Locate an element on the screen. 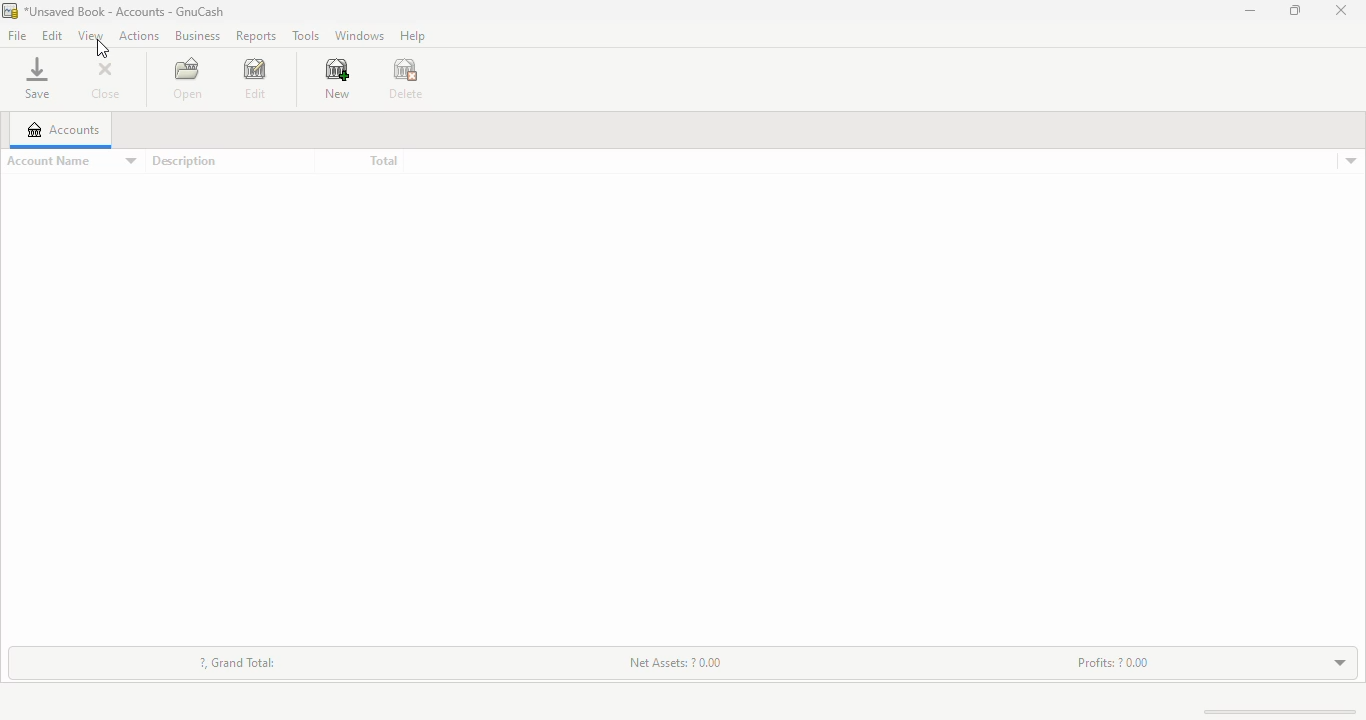  open is located at coordinates (187, 78).